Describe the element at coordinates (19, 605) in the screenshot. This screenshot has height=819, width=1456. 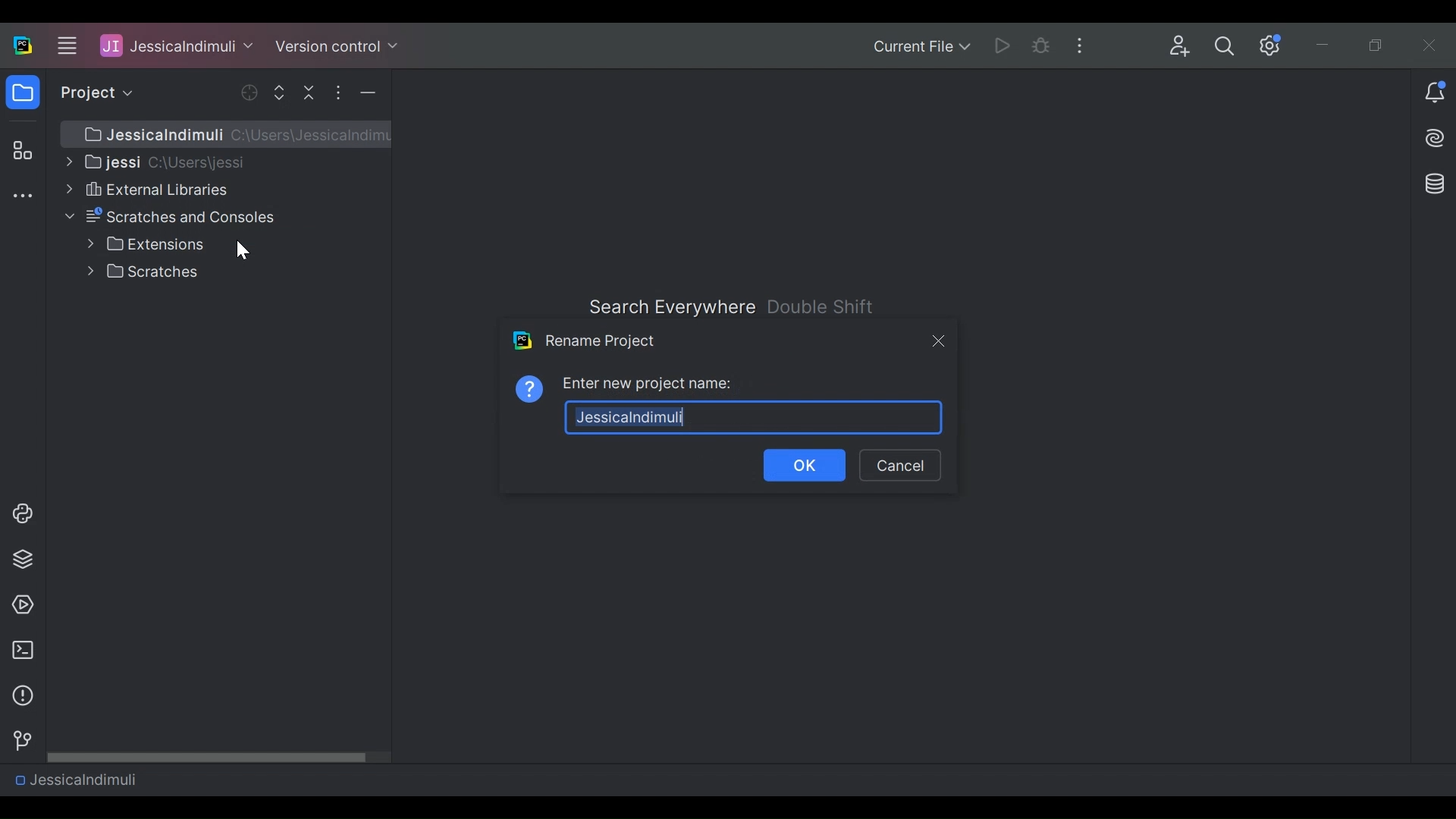
I see `run` at that location.